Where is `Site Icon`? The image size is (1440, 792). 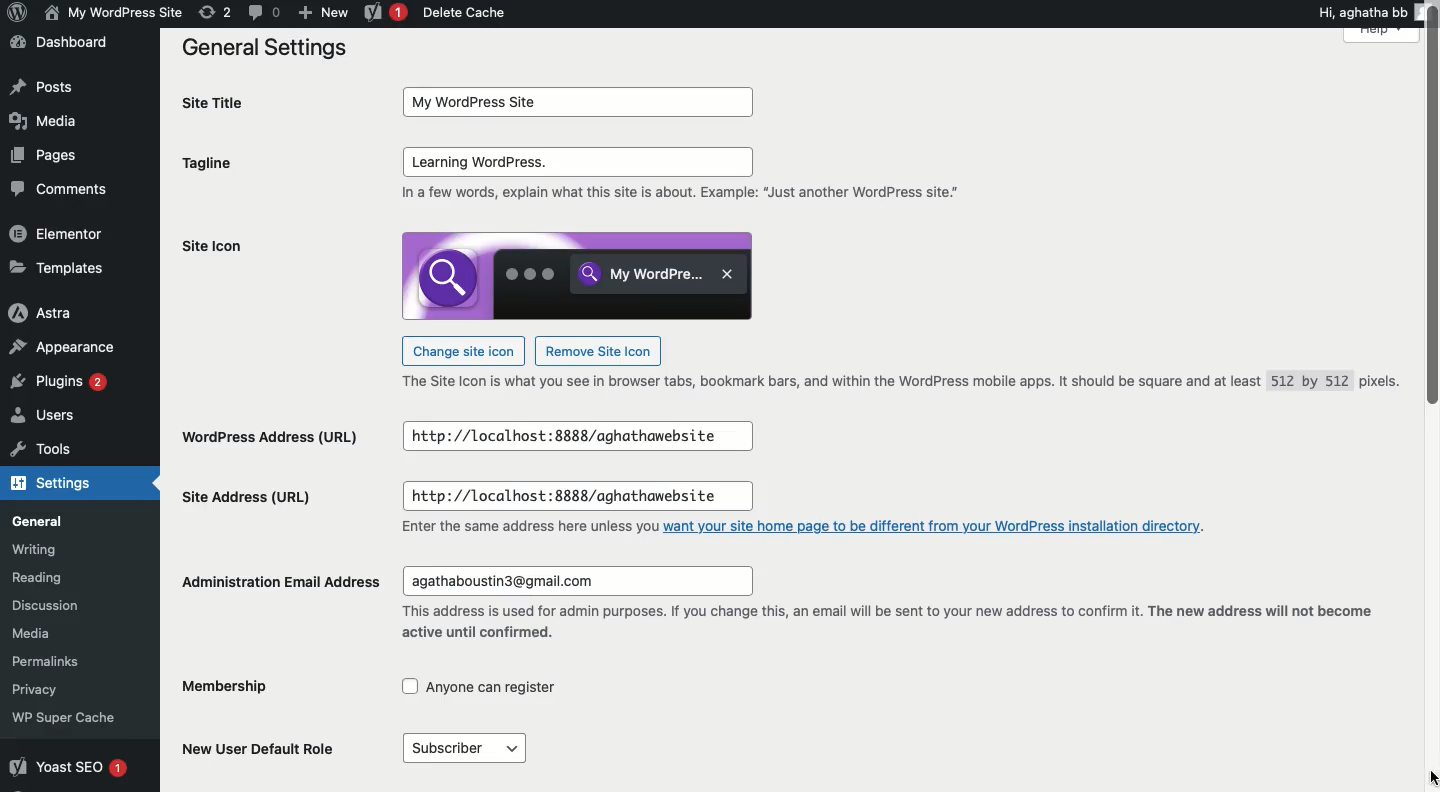 Site Icon is located at coordinates (580, 274).